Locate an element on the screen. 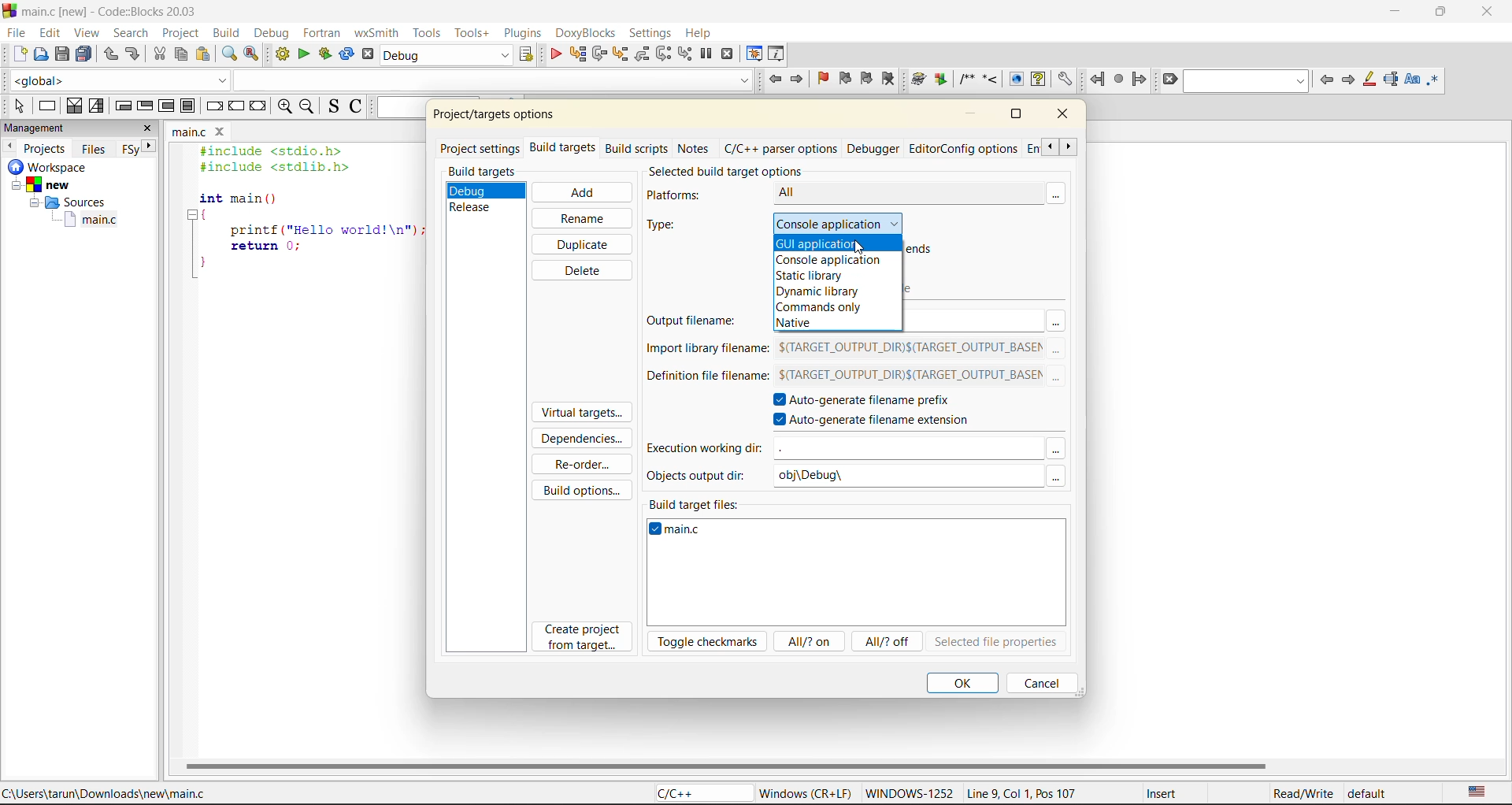 The height and width of the screenshot is (805, 1512). Run HTML Documentation is located at coordinates (1016, 78).